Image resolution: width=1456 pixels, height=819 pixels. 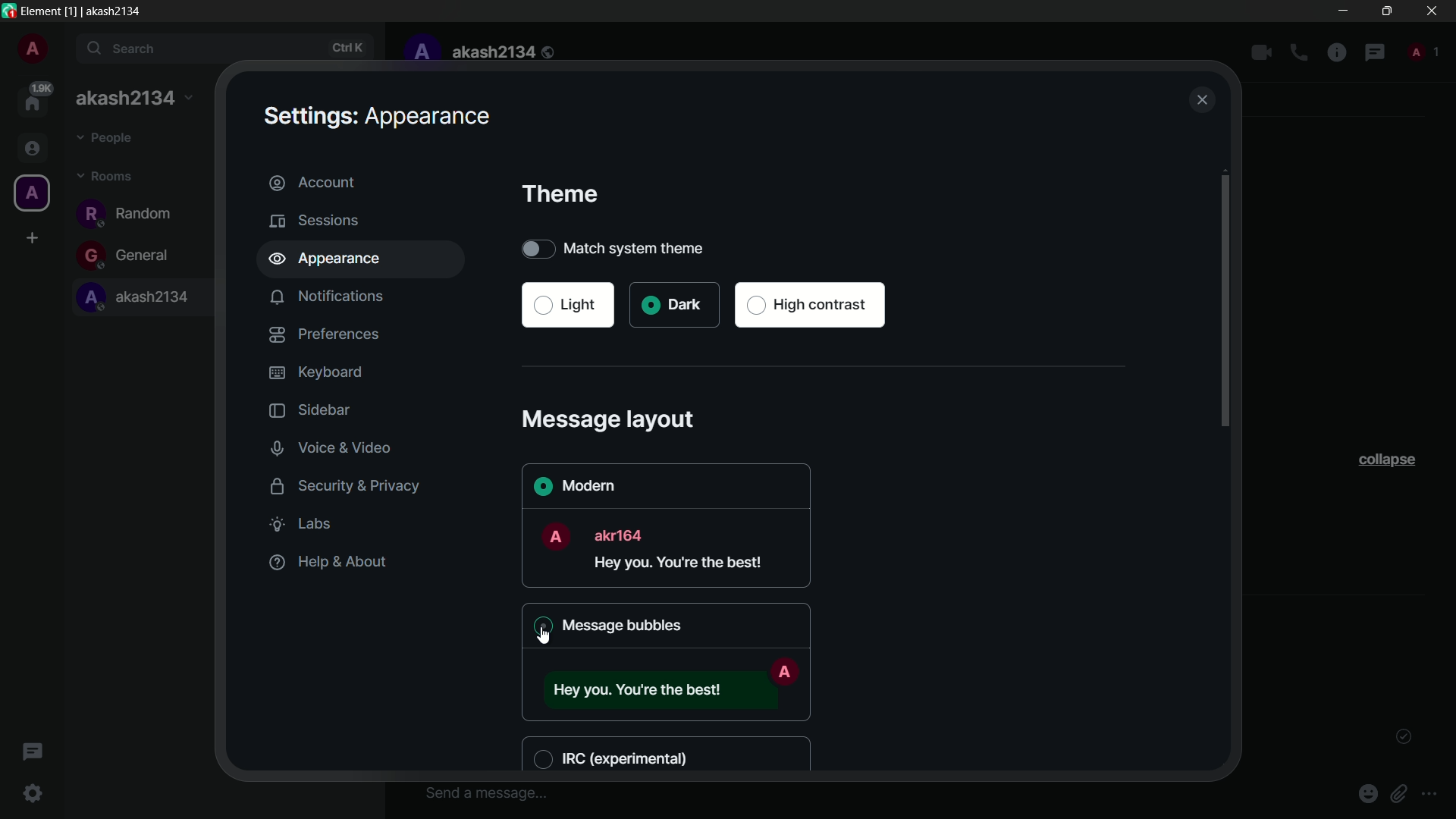 I want to click on tick, so click(x=1404, y=737).